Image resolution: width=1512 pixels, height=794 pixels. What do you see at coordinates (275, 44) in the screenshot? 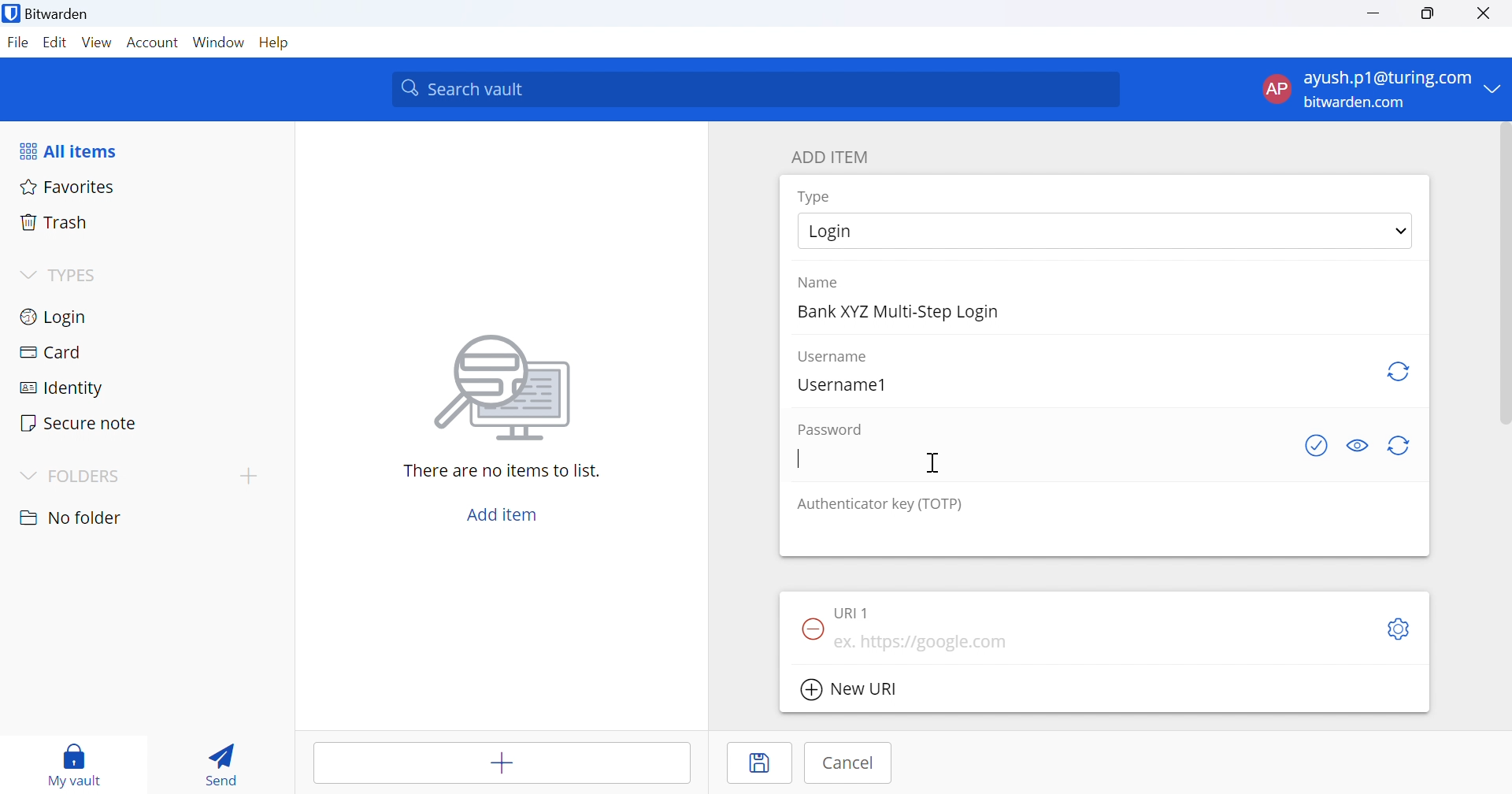
I see `Help` at bounding box center [275, 44].